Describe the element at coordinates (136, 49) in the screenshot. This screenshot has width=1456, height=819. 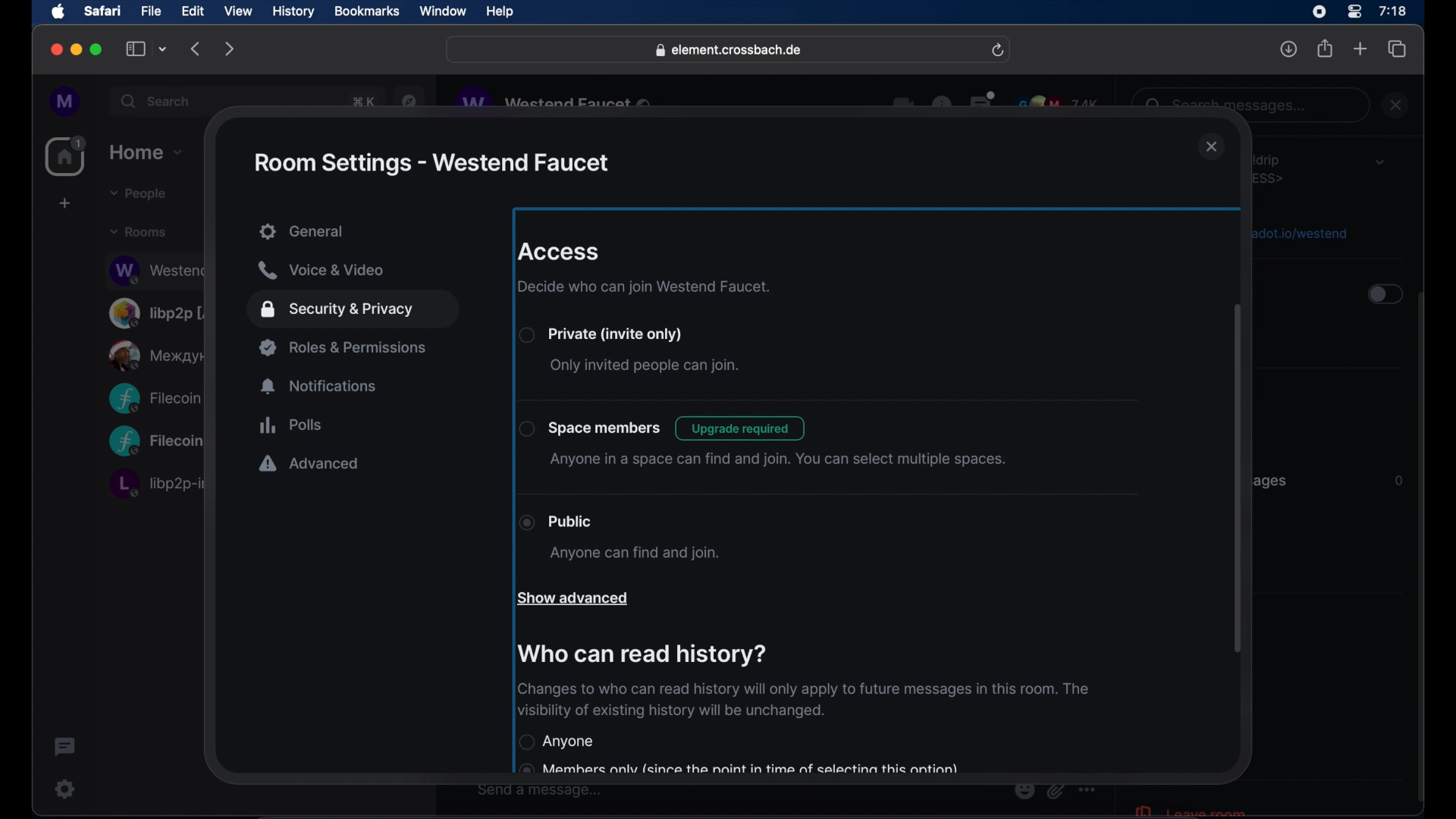
I see `show sidebar` at that location.